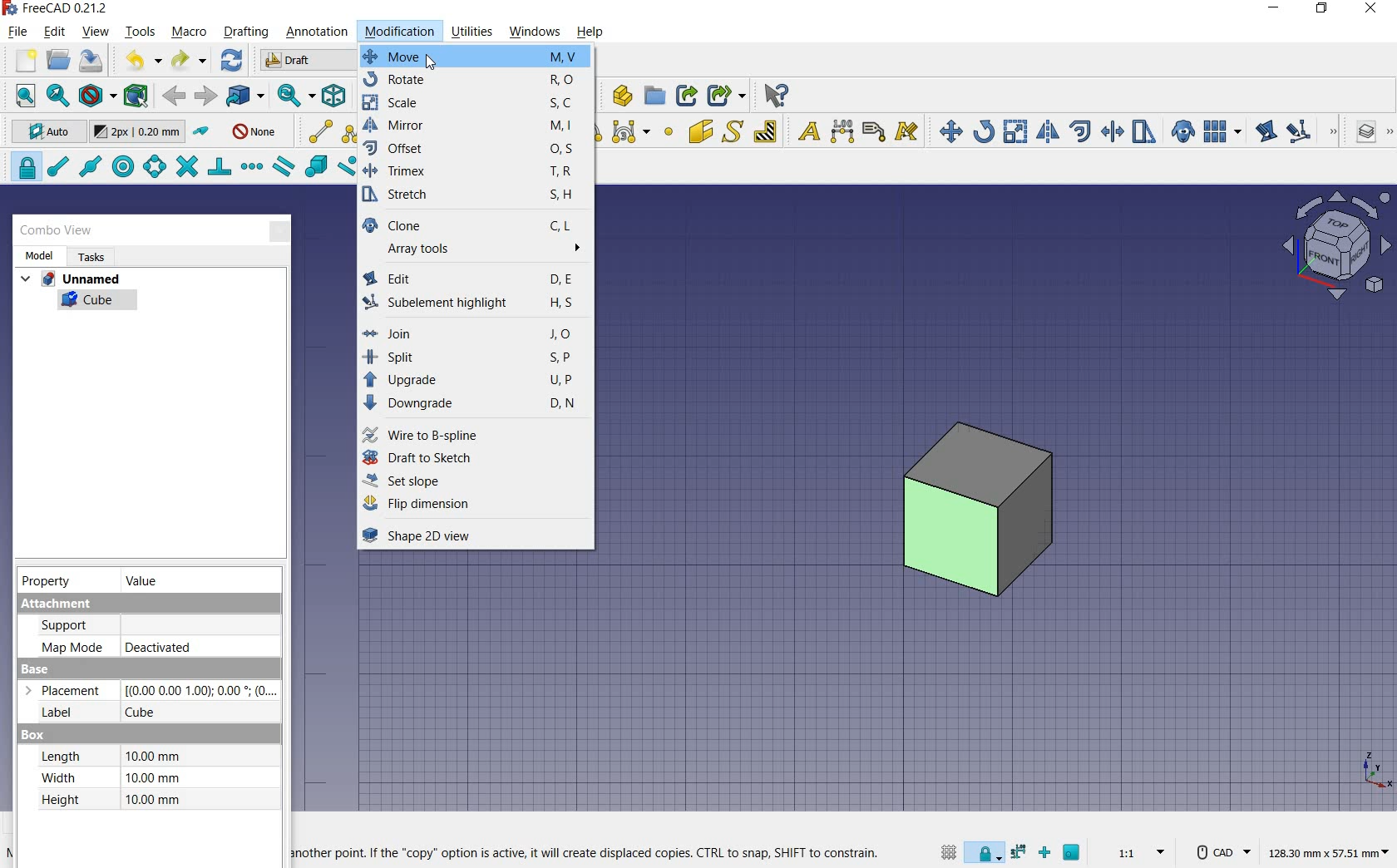 The height and width of the screenshot is (868, 1397). What do you see at coordinates (110, 756) in the screenshot?
I see `Length: 10.00 mm` at bounding box center [110, 756].